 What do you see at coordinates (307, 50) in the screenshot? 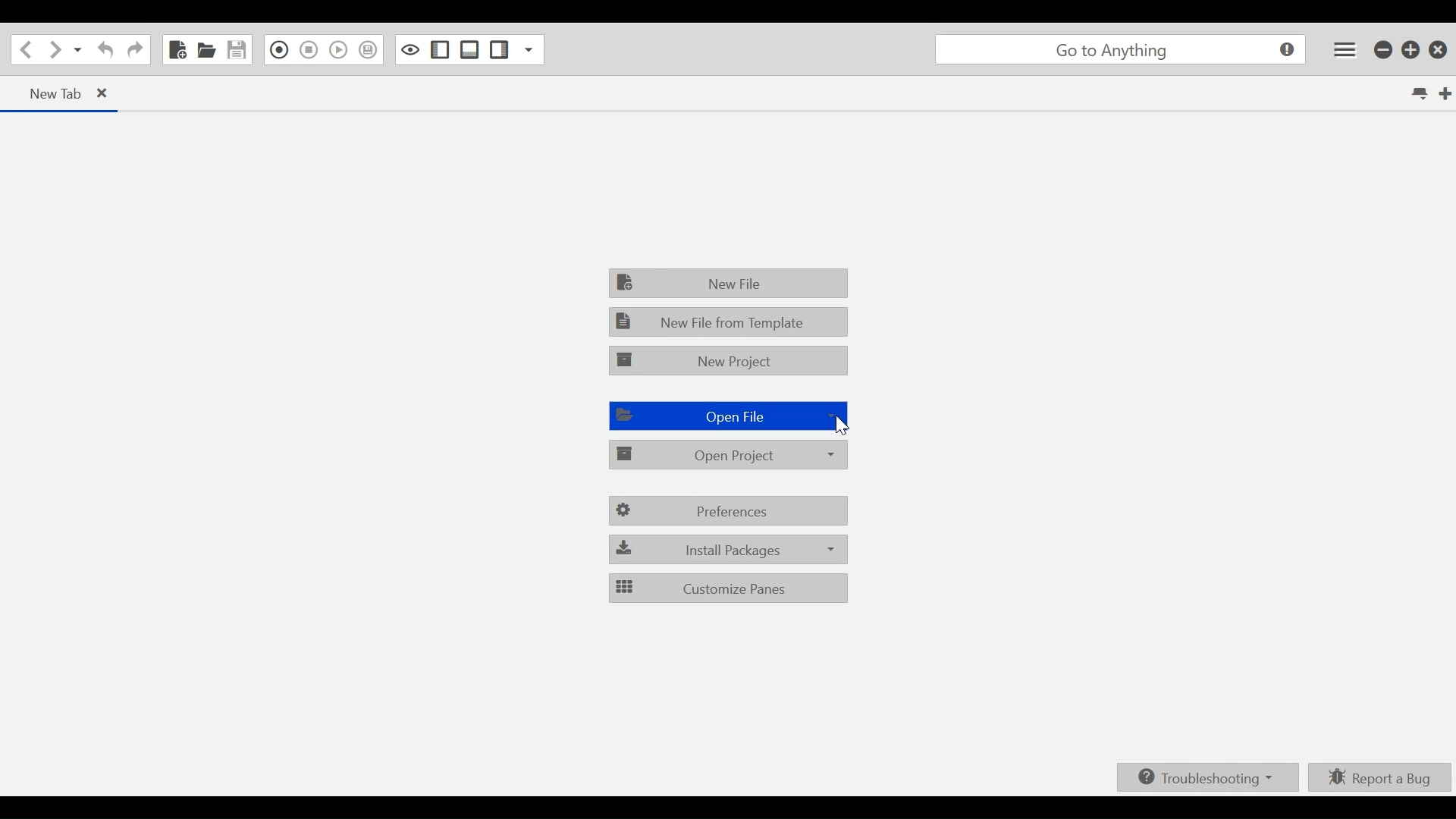
I see `Stop Recording in Macro` at bounding box center [307, 50].